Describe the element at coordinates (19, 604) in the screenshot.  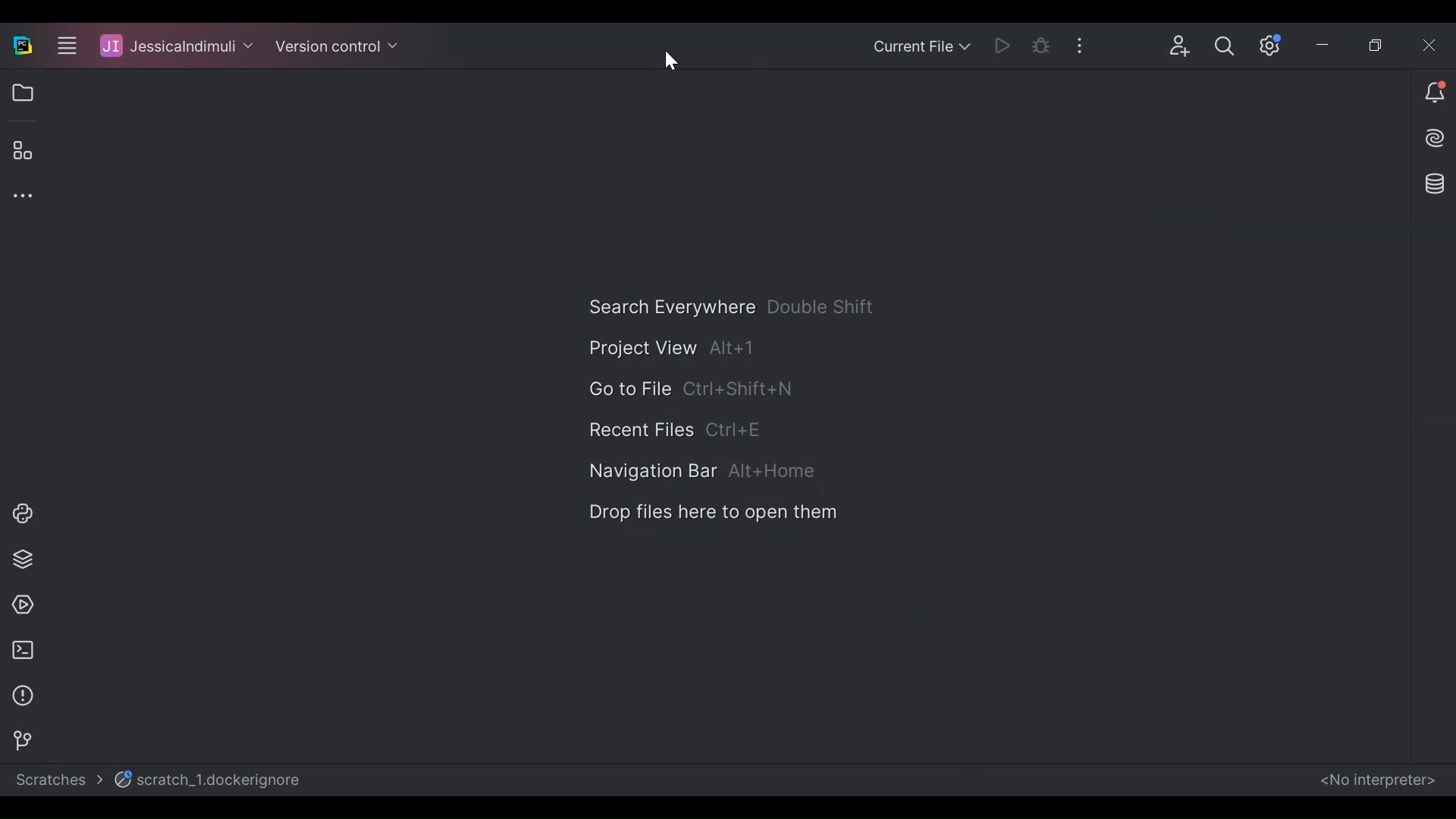
I see `Services` at that location.